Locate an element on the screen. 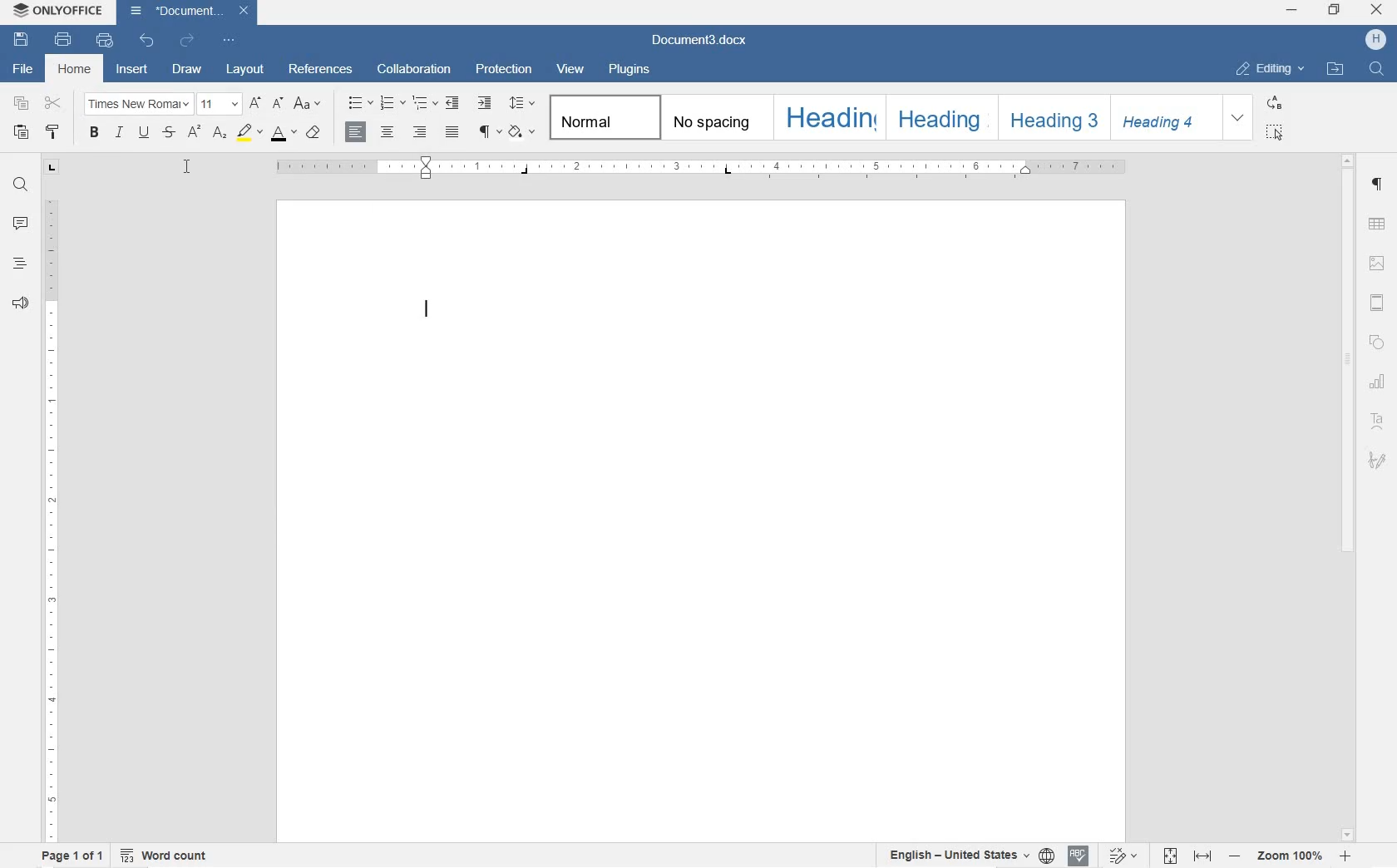 This screenshot has width=1397, height=868. INSERT is located at coordinates (132, 70).